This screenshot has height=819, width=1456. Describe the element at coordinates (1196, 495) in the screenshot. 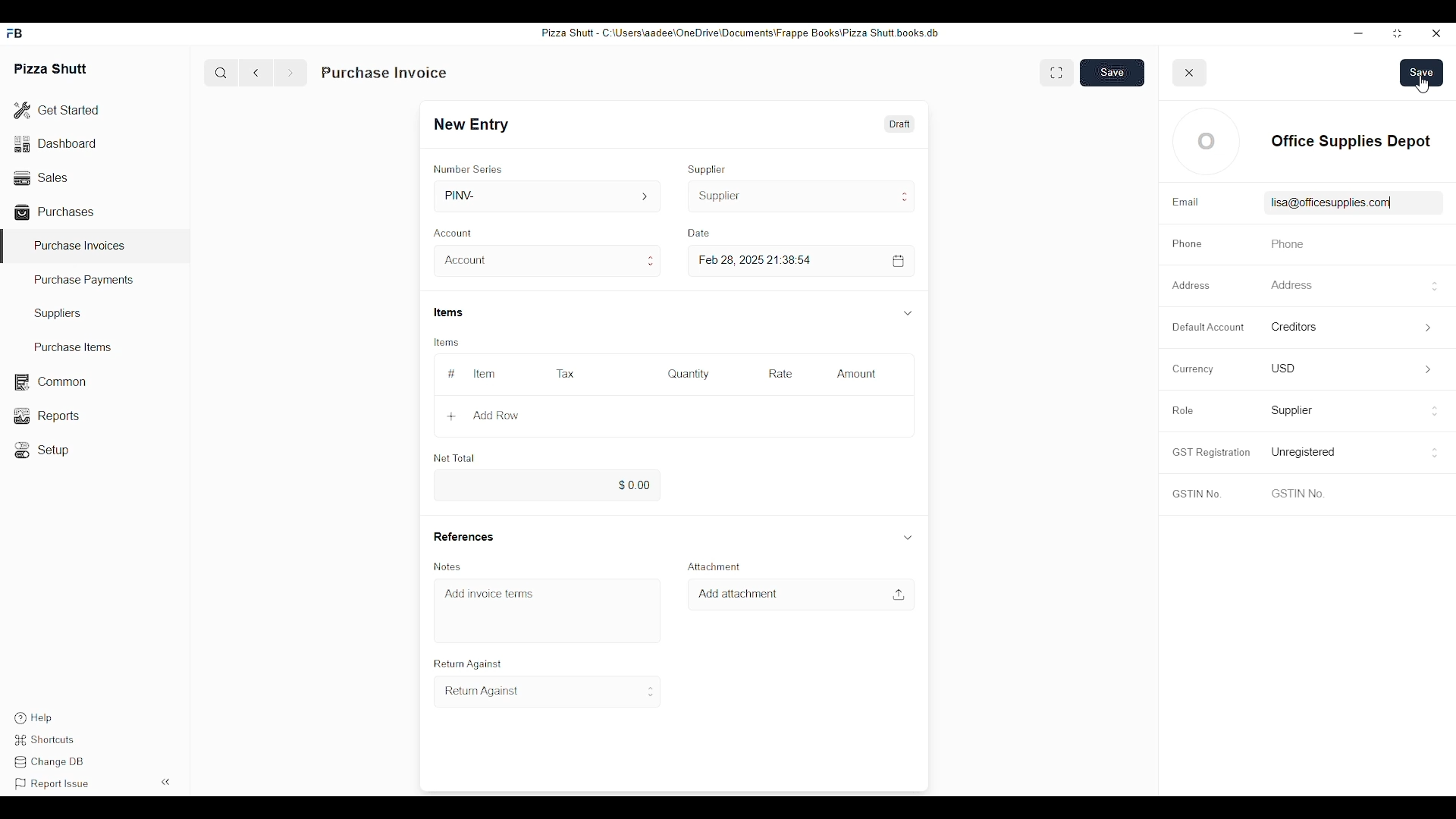

I see `GSTIN No.` at that location.